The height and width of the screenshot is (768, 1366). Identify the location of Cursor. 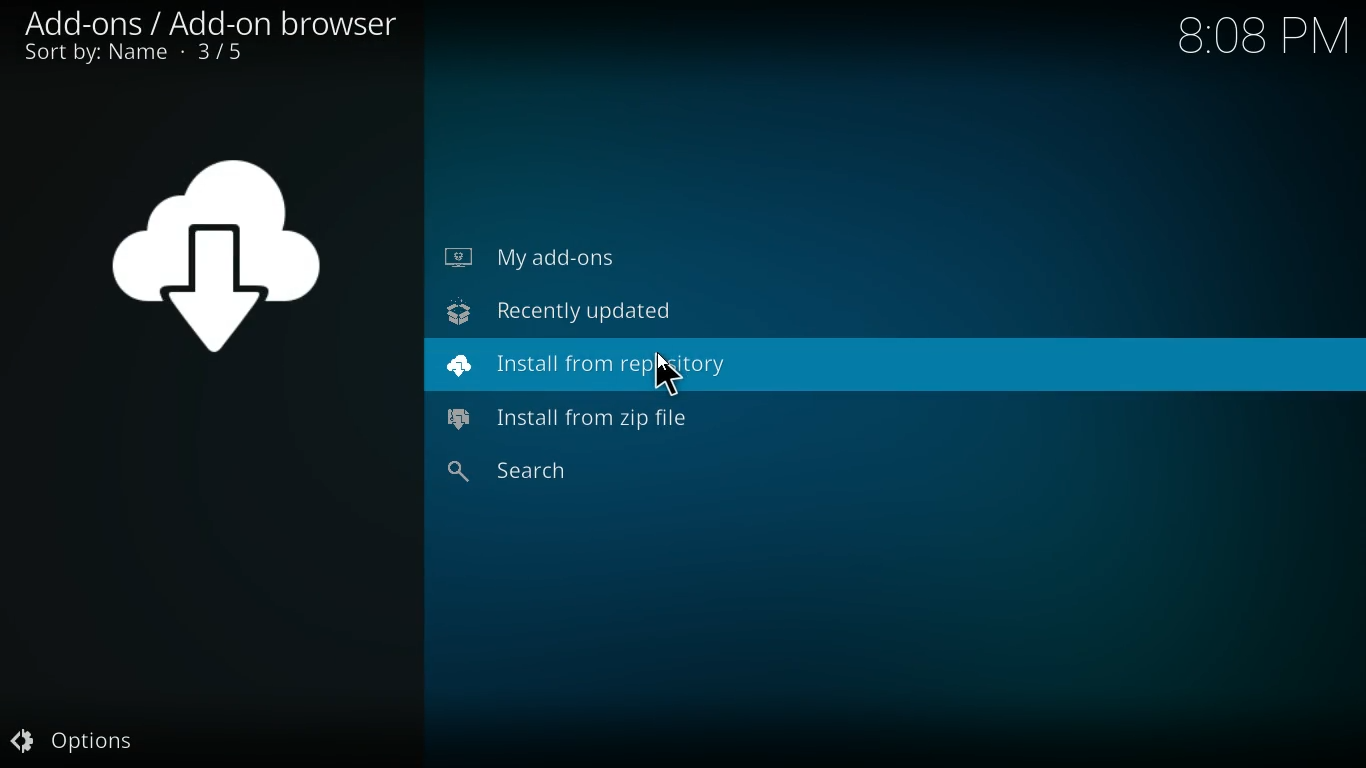
(667, 377).